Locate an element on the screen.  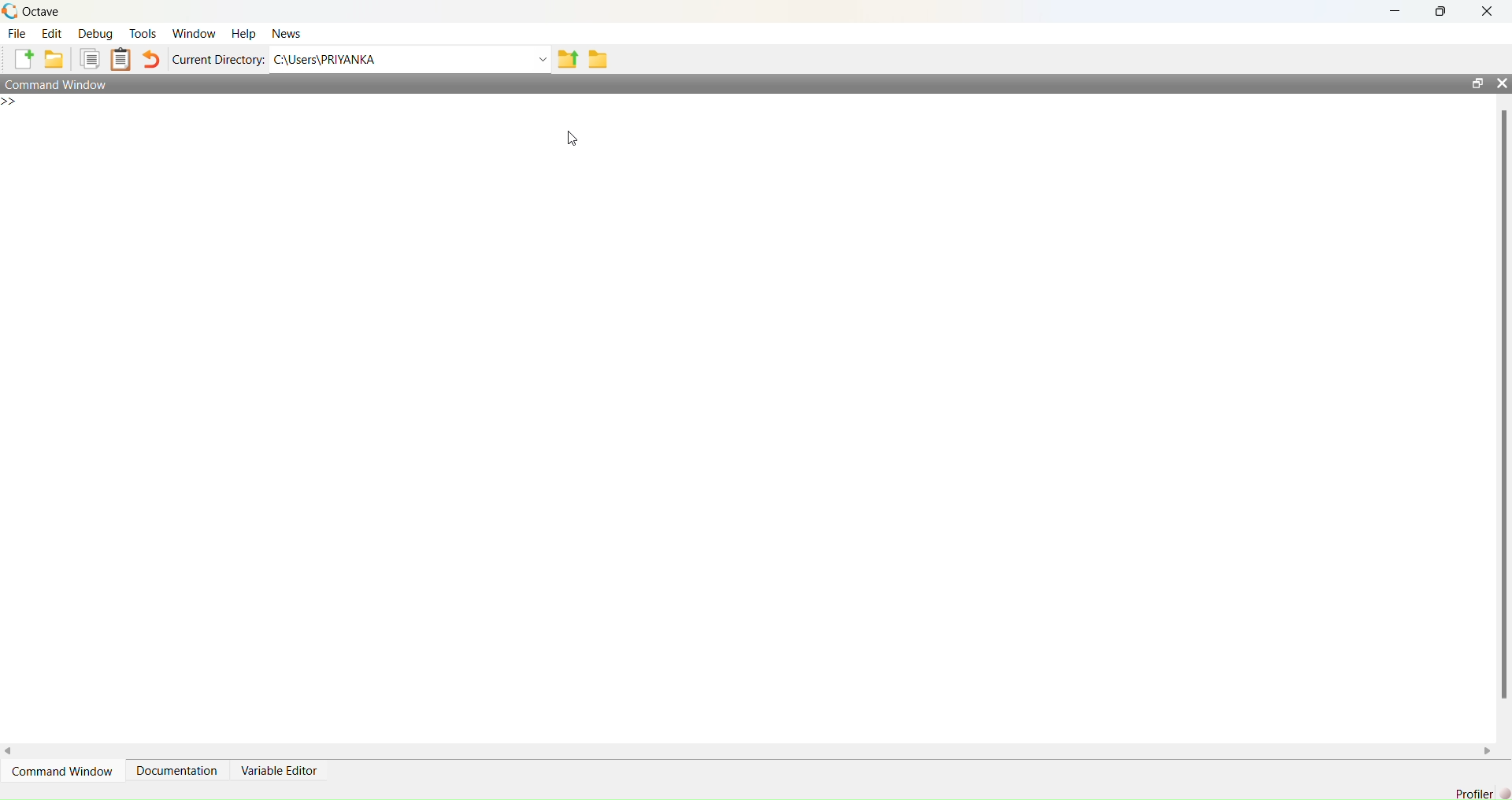
cursor is located at coordinates (573, 139).